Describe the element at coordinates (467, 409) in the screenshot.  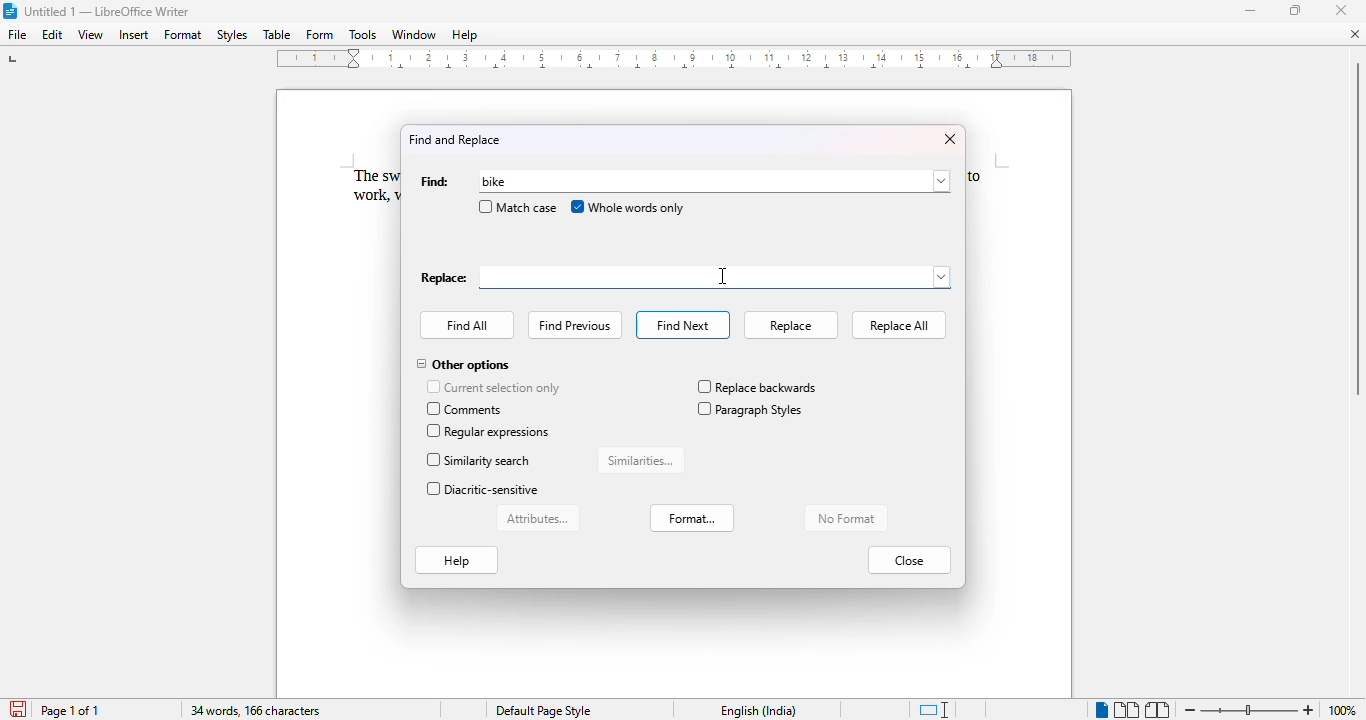
I see `comments` at that location.